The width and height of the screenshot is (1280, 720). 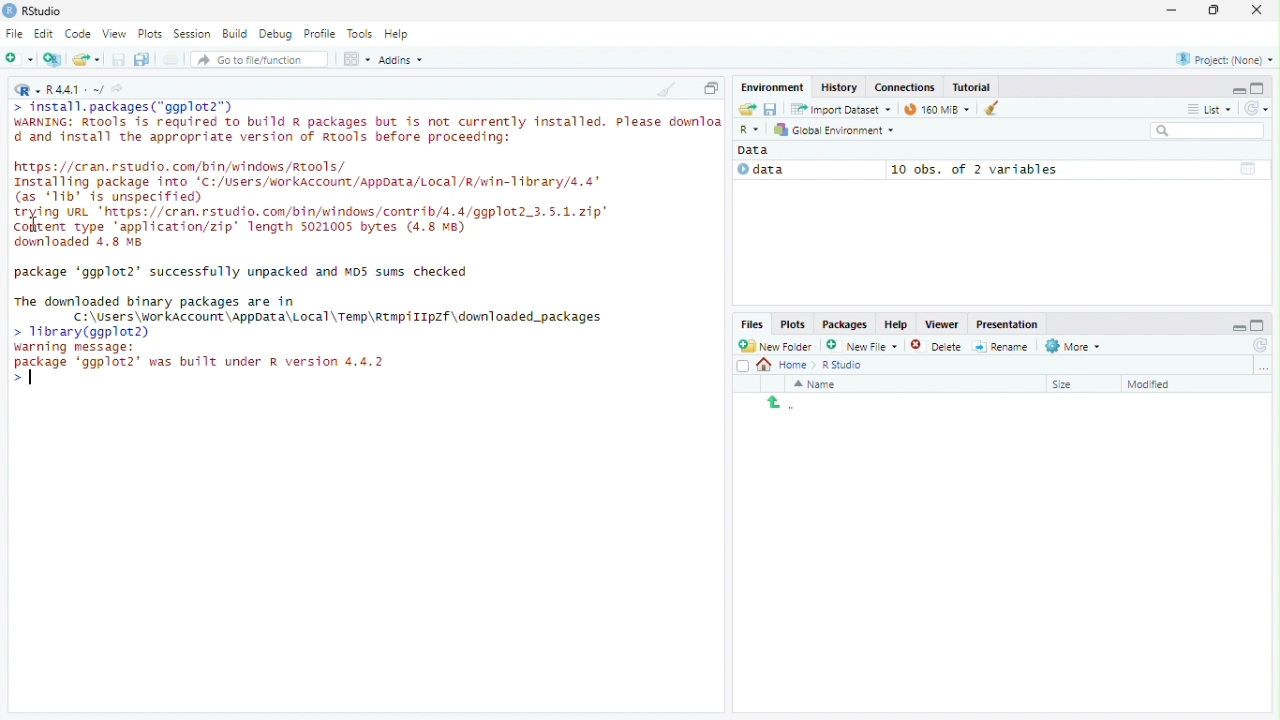 I want to click on minimize, so click(x=1237, y=323).